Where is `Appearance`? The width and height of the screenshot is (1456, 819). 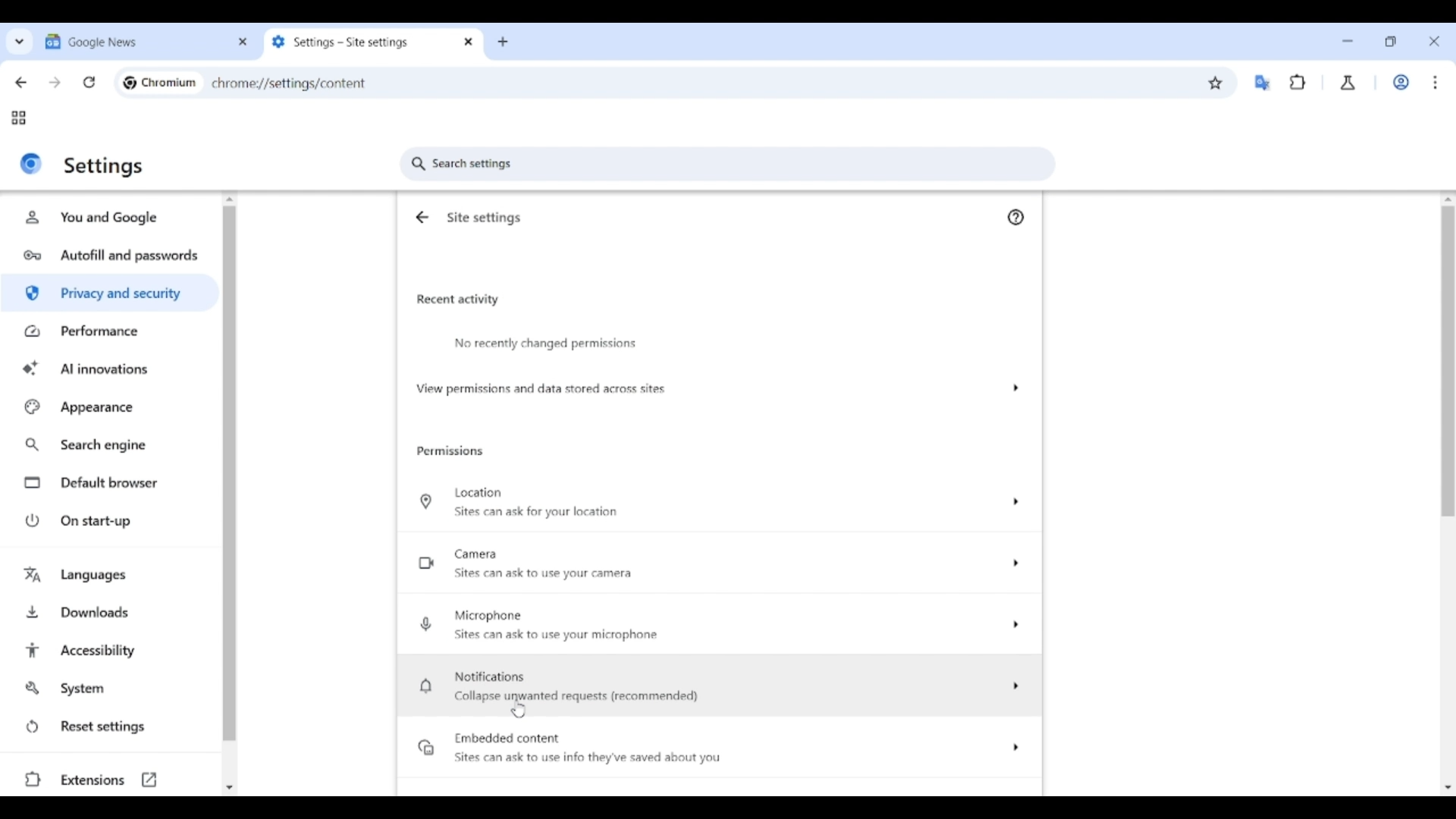 Appearance is located at coordinates (110, 407).